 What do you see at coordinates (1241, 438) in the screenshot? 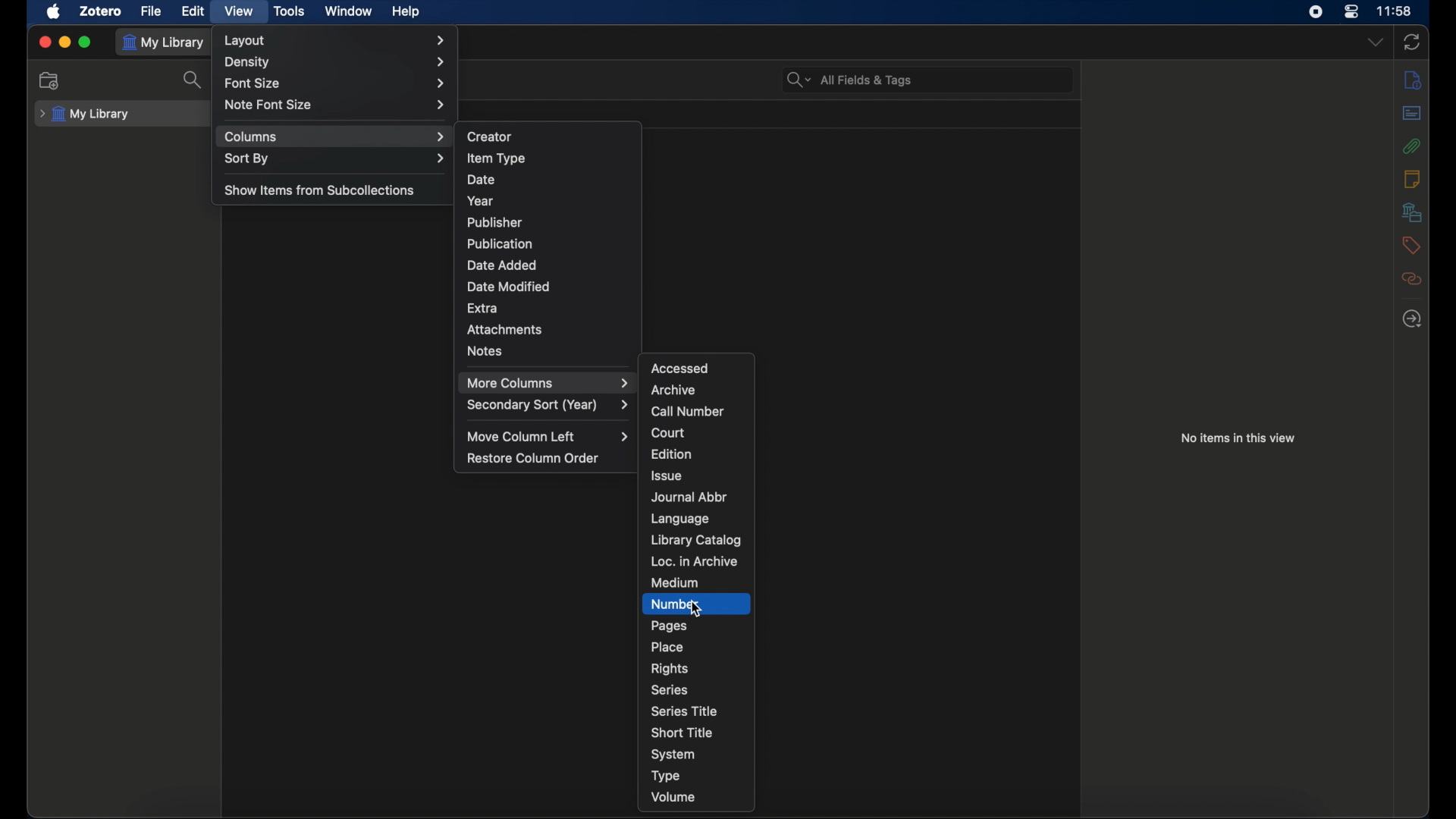
I see `no items in this view` at bounding box center [1241, 438].